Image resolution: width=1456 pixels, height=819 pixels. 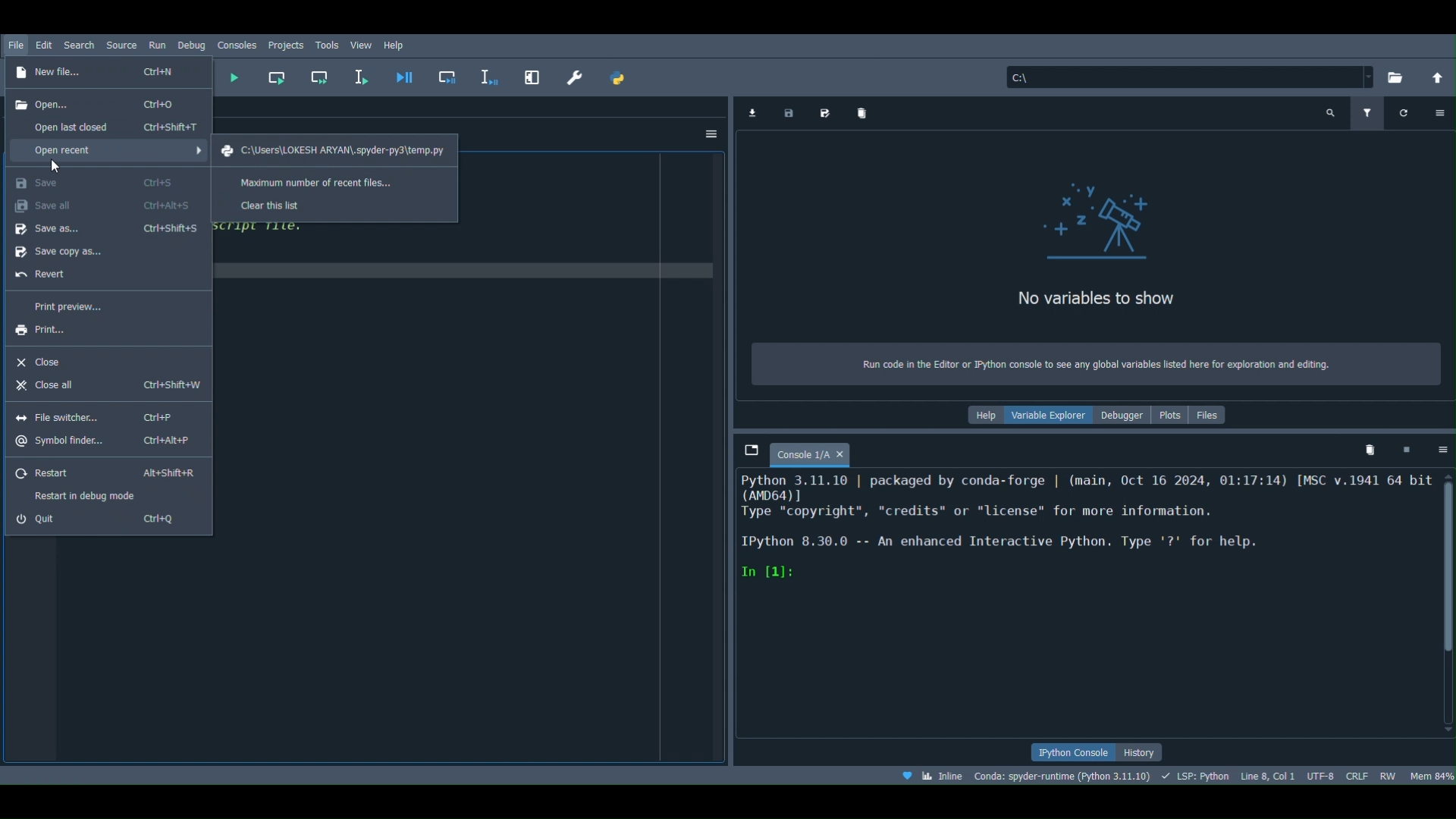 I want to click on File path, so click(x=1191, y=73).